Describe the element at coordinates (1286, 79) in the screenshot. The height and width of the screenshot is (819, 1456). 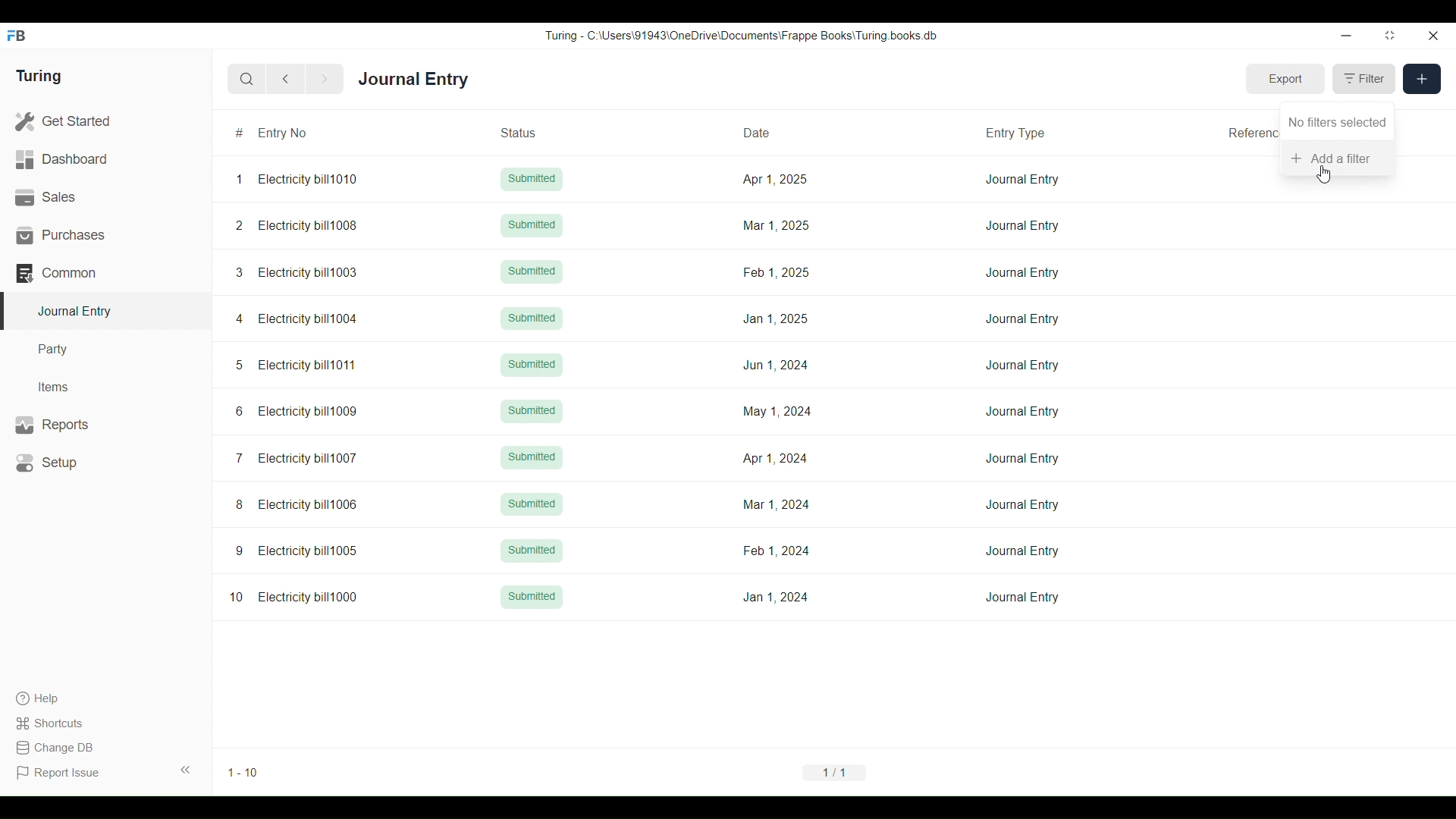
I see `Export` at that location.